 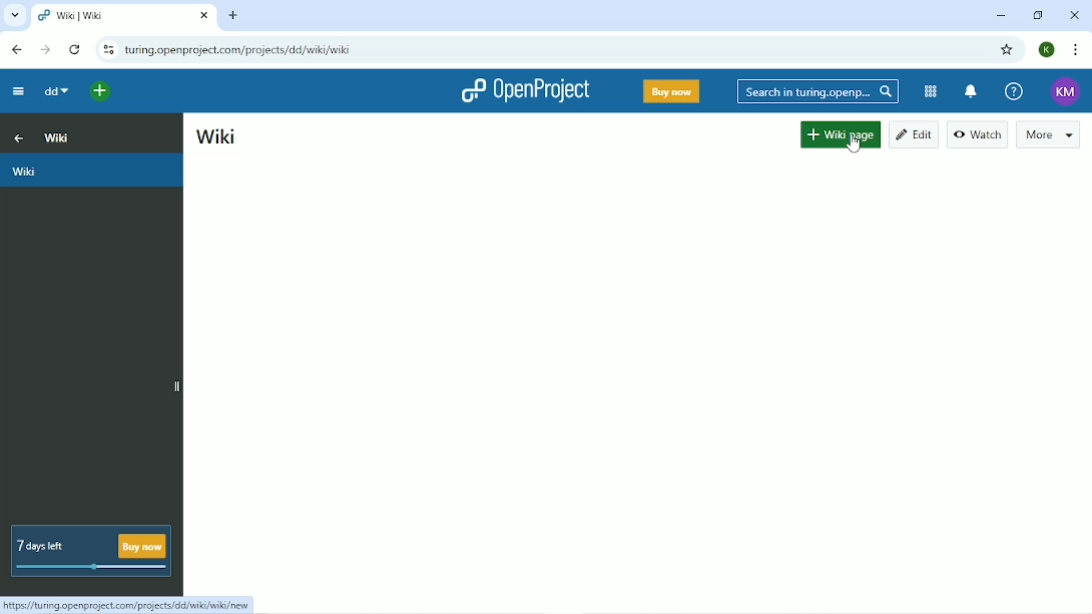 I want to click on More, so click(x=1050, y=135).